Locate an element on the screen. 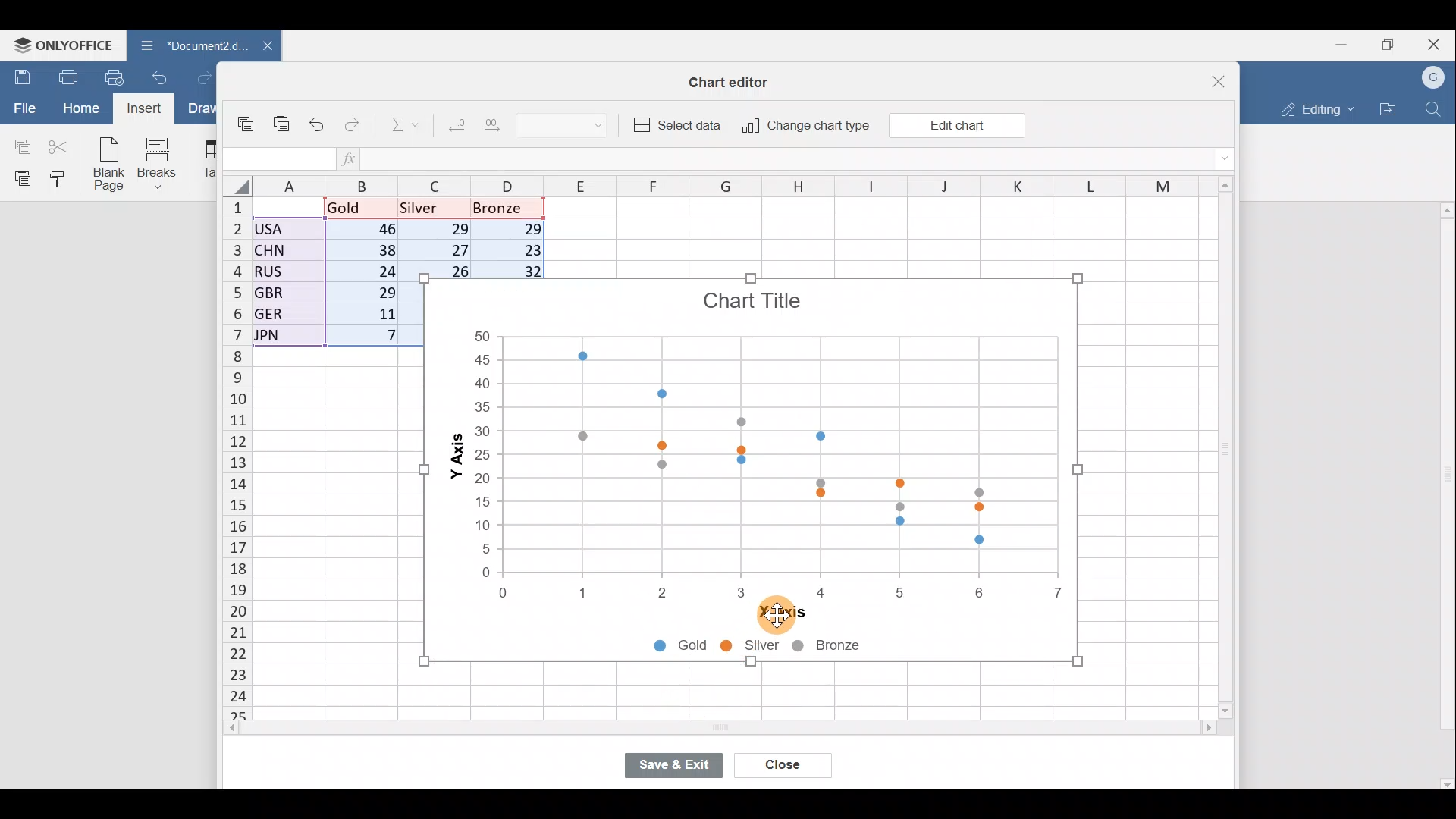  Rows is located at coordinates (227, 460).